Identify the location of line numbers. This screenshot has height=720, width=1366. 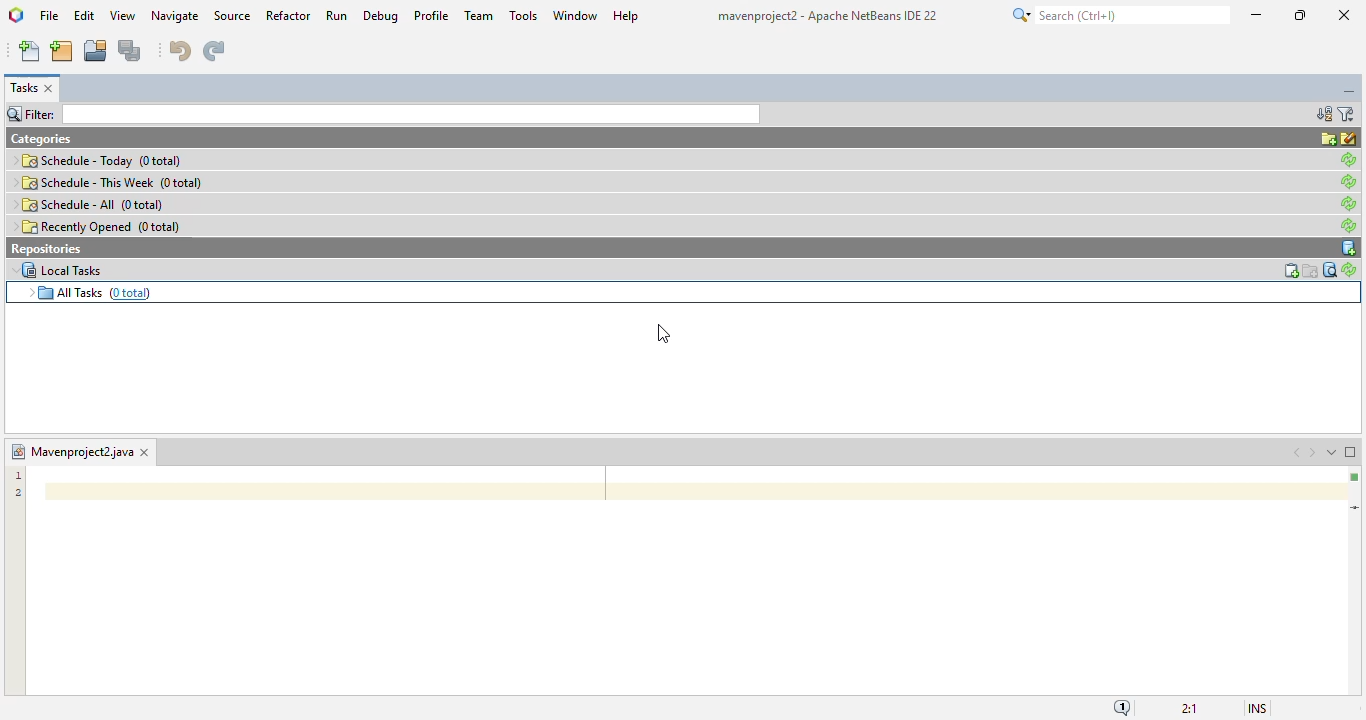
(17, 485).